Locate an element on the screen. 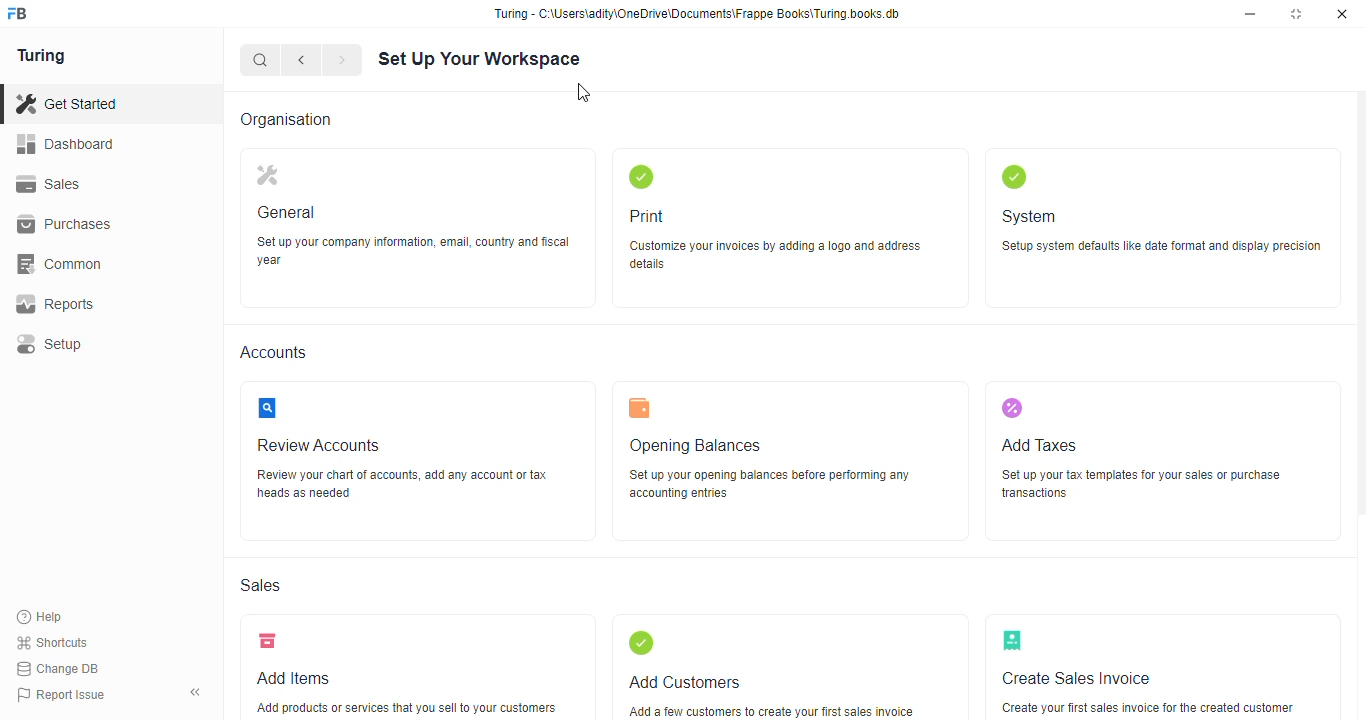 The image size is (1366, 720). General Set up your company information, email, country and fiscal year is located at coordinates (418, 227).